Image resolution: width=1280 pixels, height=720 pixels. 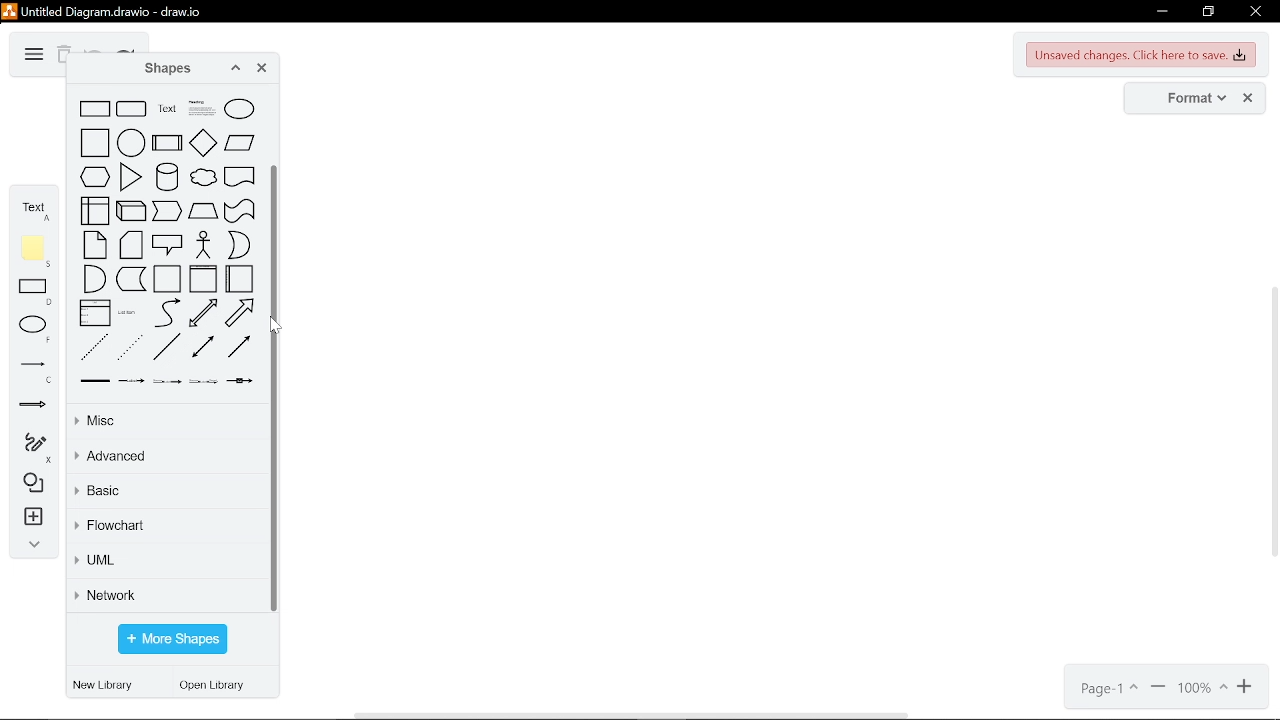 What do you see at coordinates (161, 69) in the screenshot?
I see `shapes` at bounding box center [161, 69].